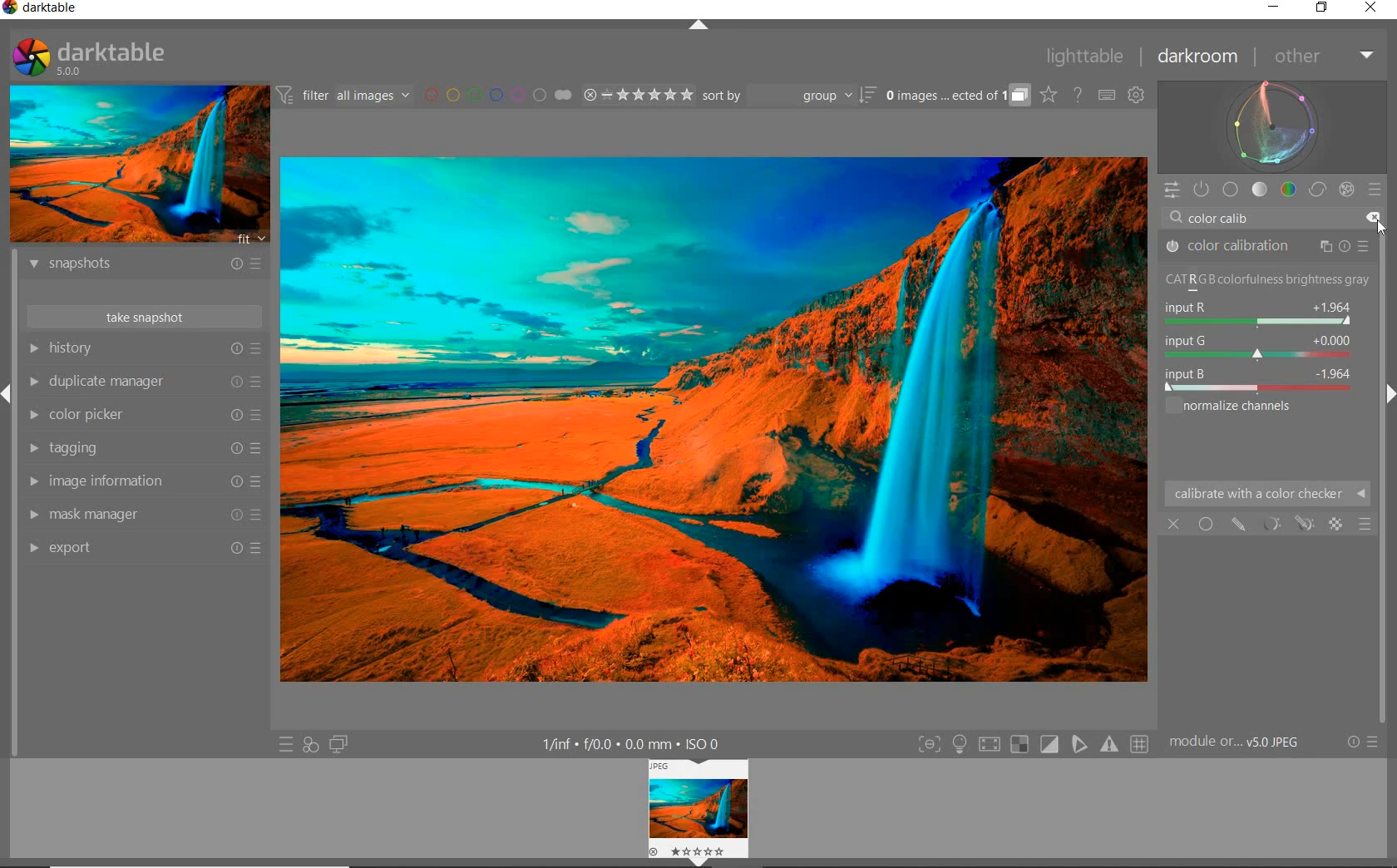 The image size is (1397, 868). Describe the element at coordinates (1266, 246) in the screenshot. I see `COLOR CALIBRATION` at that location.